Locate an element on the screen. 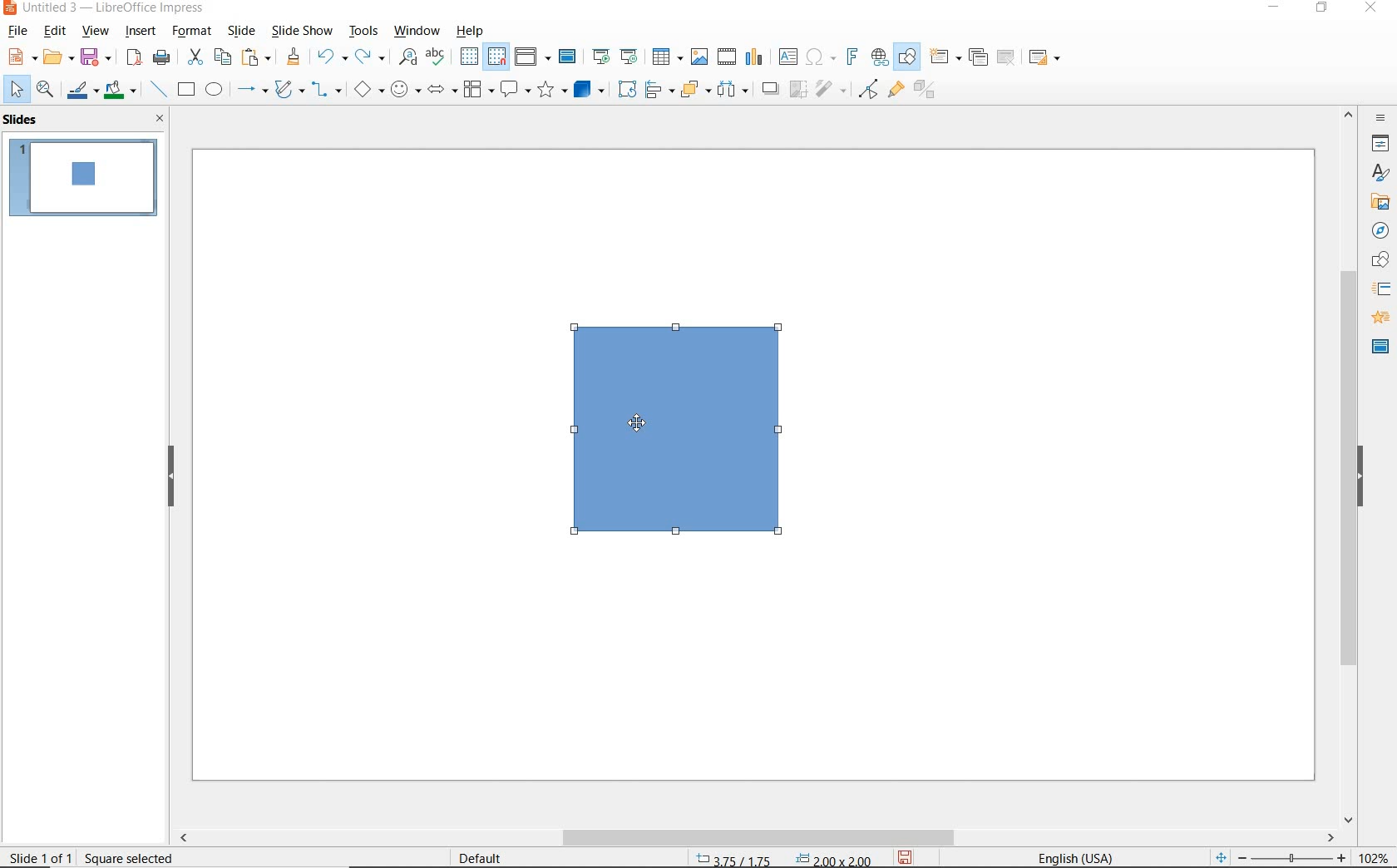 The width and height of the screenshot is (1397, 868). new slide is located at coordinates (945, 60).